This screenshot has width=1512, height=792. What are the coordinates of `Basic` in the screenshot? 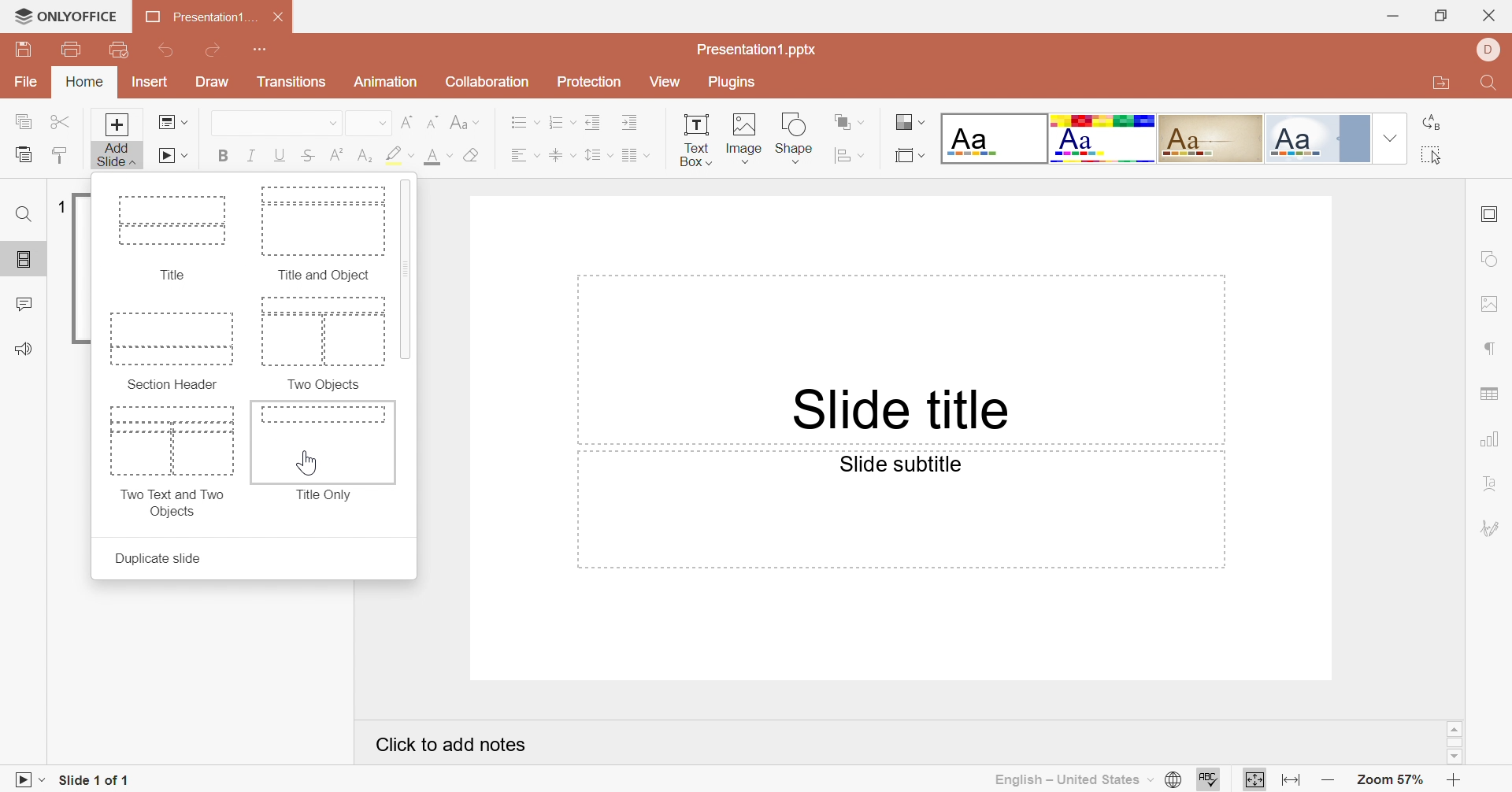 It's located at (1102, 138).